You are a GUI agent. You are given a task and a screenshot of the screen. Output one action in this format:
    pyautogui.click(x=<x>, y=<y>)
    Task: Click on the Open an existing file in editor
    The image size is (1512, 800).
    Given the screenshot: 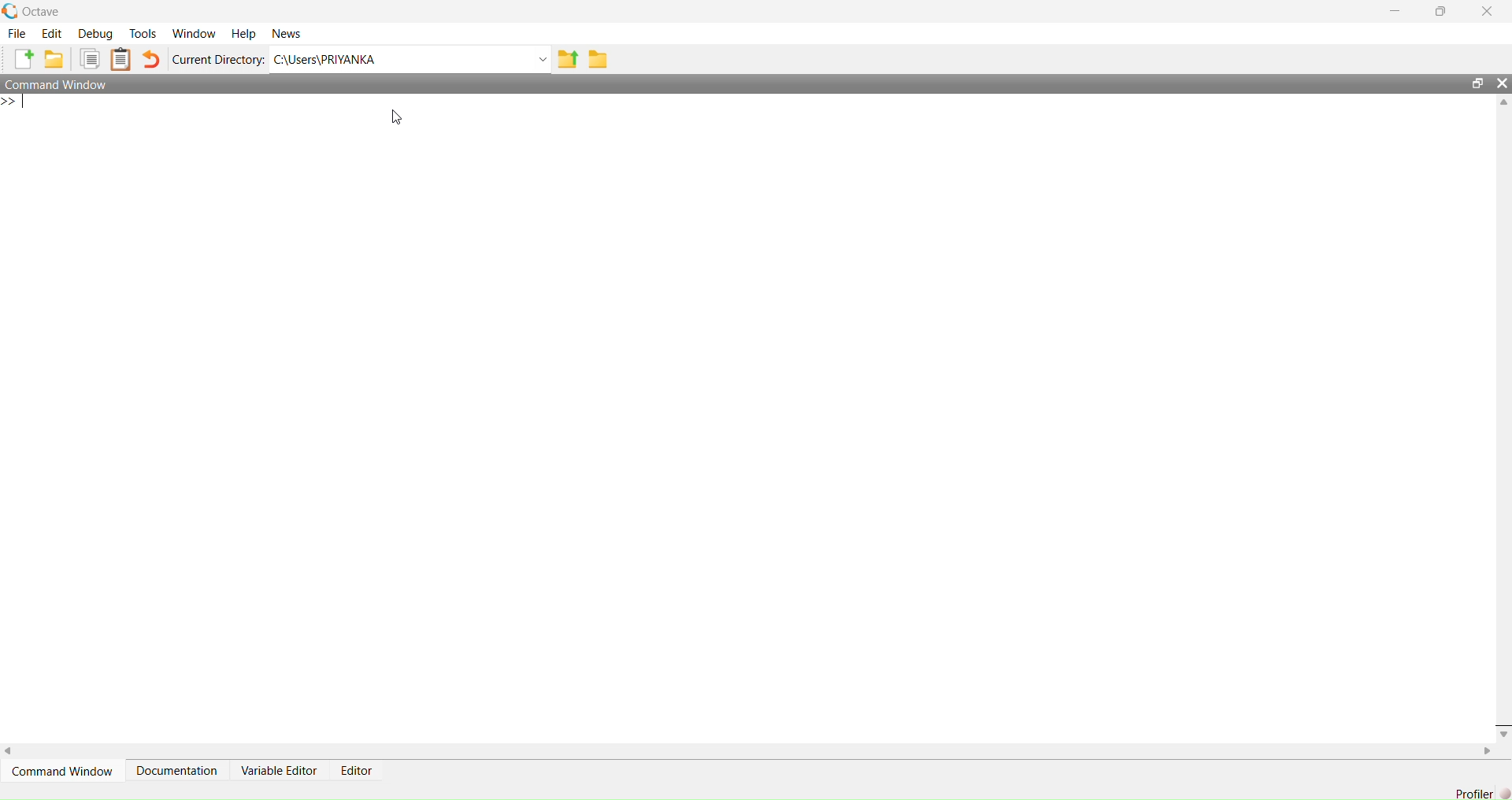 What is the action you would take?
    pyautogui.click(x=54, y=59)
    